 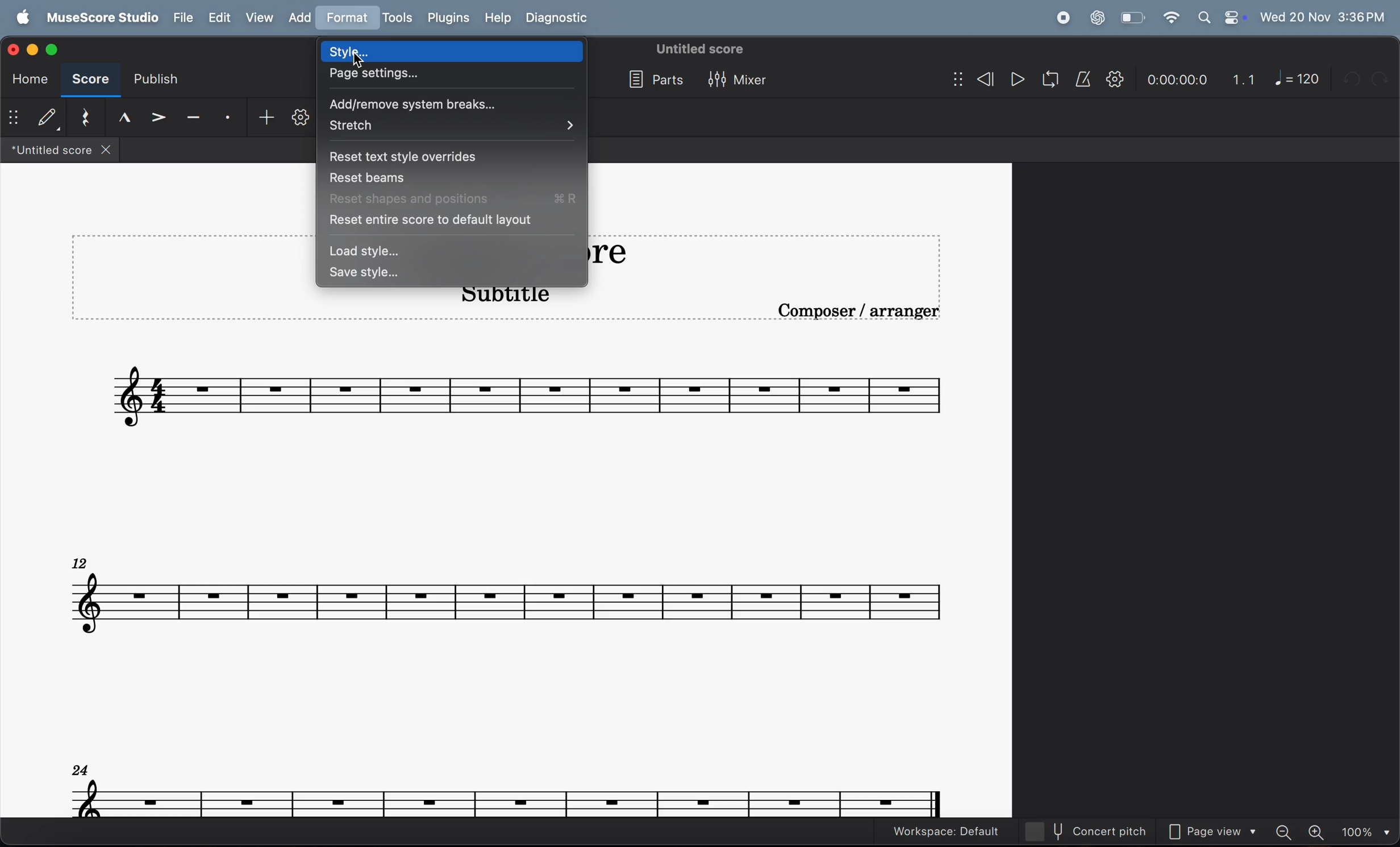 What do you see at coordinates (973, 81) in the screenshot?
I see `rewind` at bounding box center [973, 81].